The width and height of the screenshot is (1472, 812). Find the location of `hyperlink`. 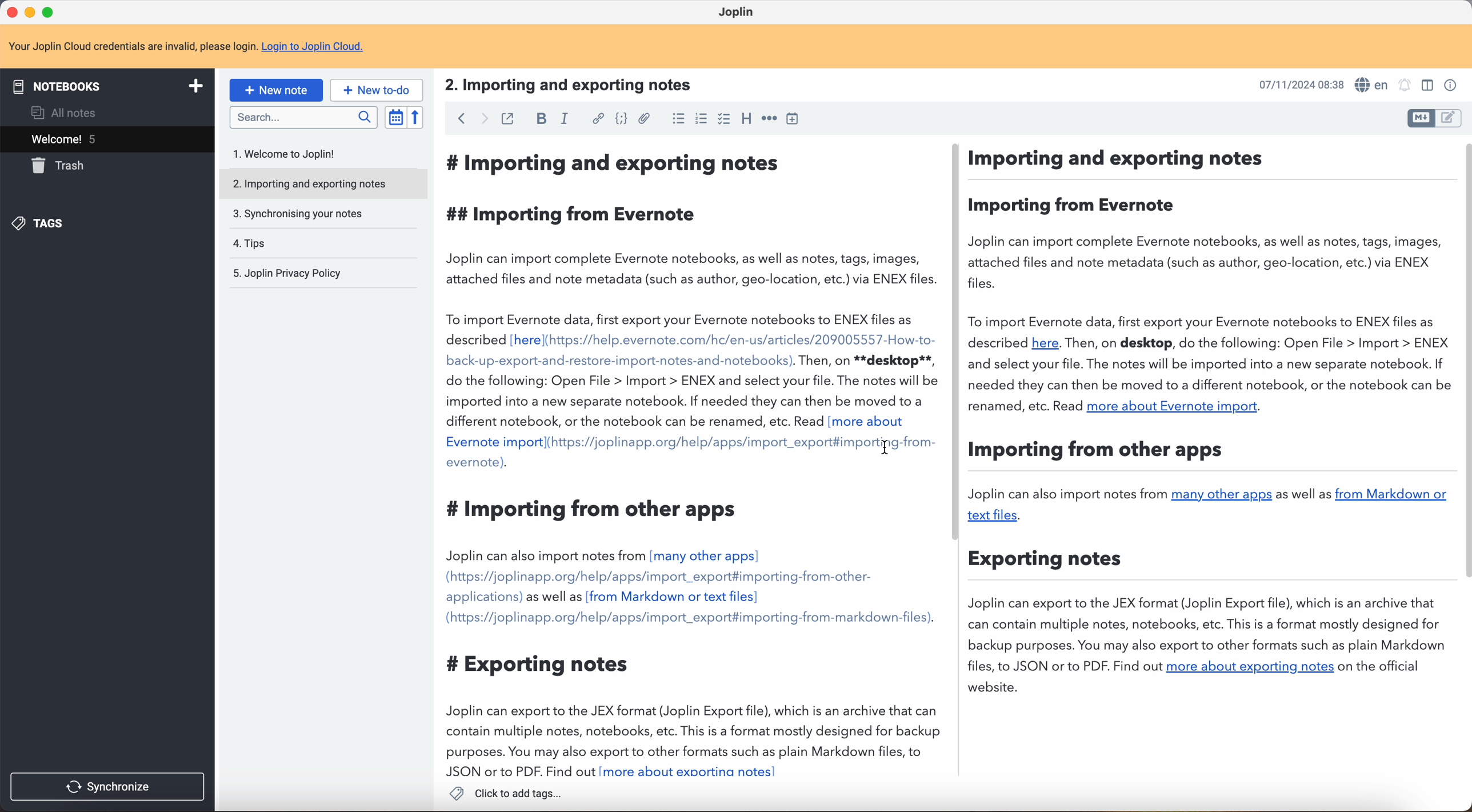

hyperlink is located at coordinates (597, 119).